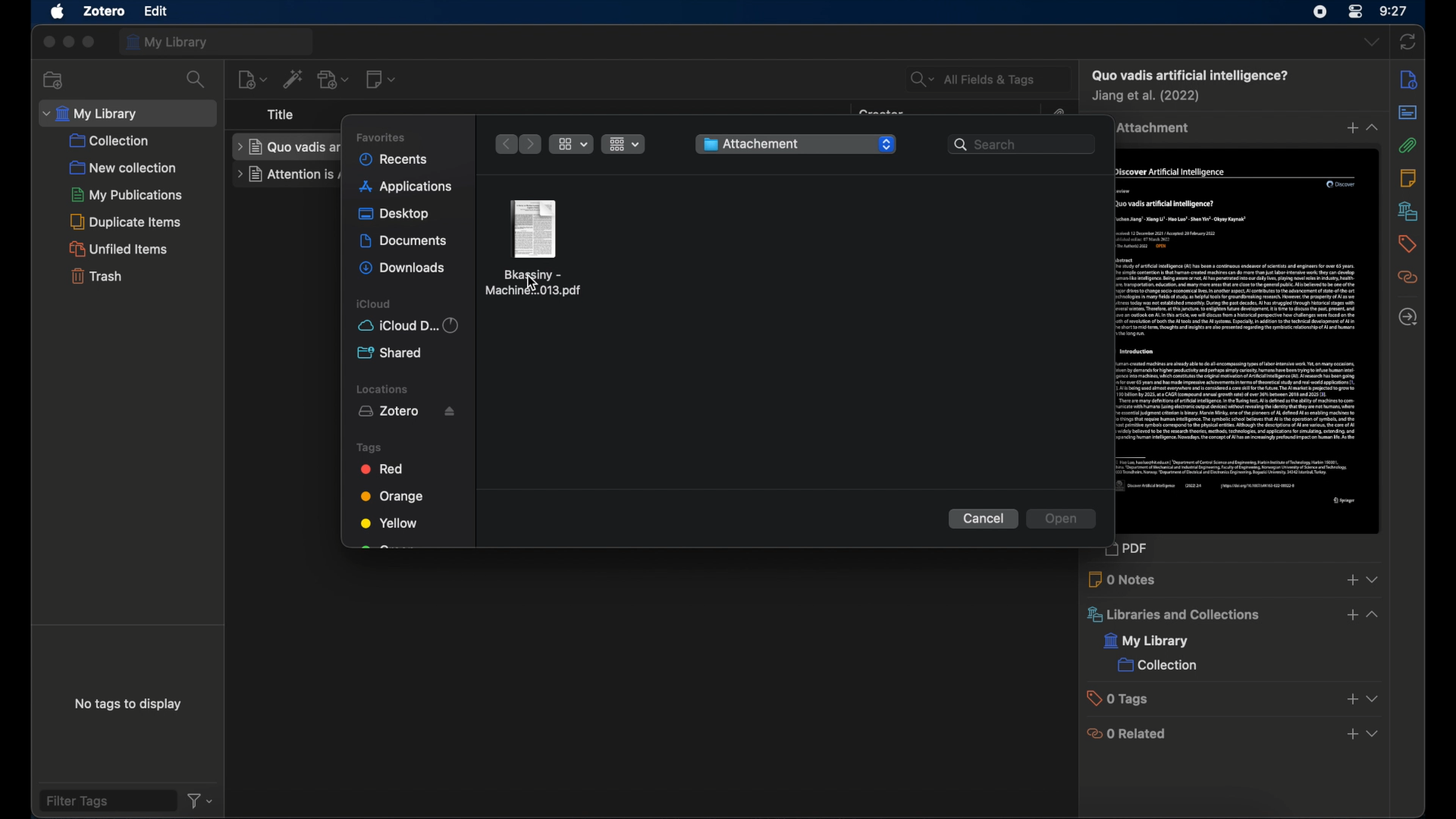 The height and width of the screenshot is (819, 1456). Describe the element at coordinates (124, 167) in the screenshot. I see `new collection` at that location.